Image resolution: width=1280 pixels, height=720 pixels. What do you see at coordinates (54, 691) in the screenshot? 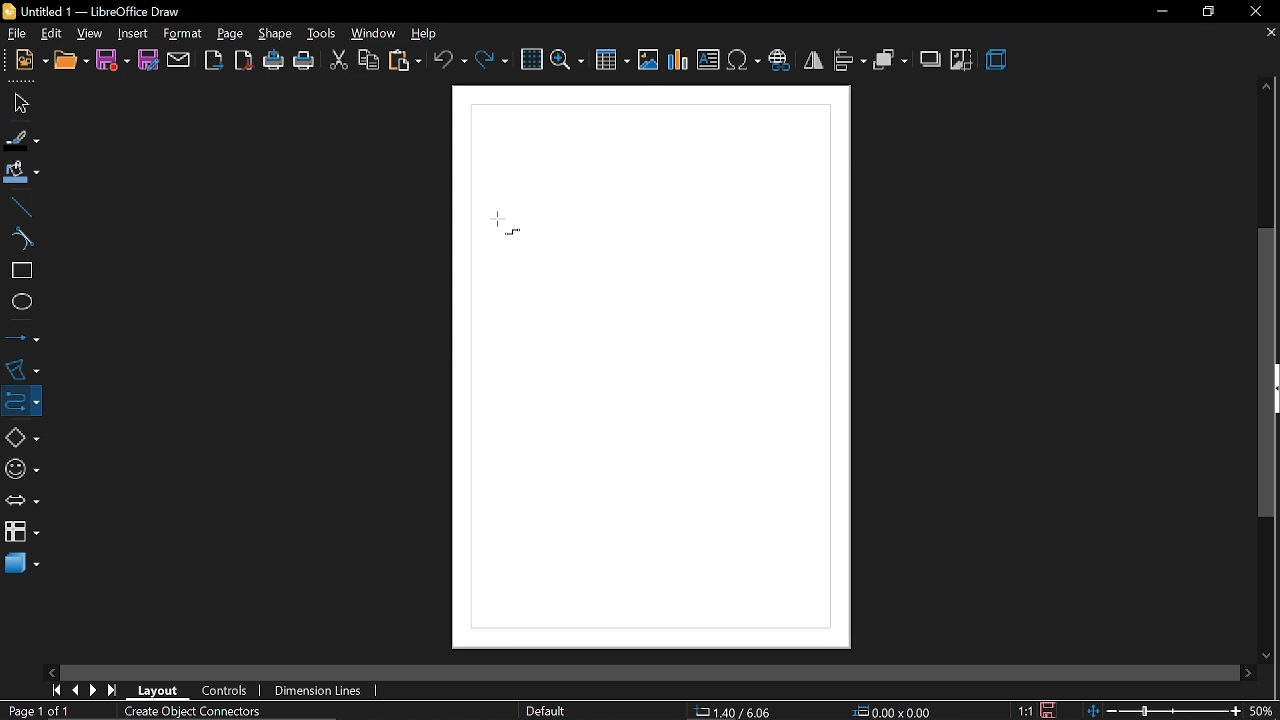
I see `go to first page` at bounding box center [54, 691].